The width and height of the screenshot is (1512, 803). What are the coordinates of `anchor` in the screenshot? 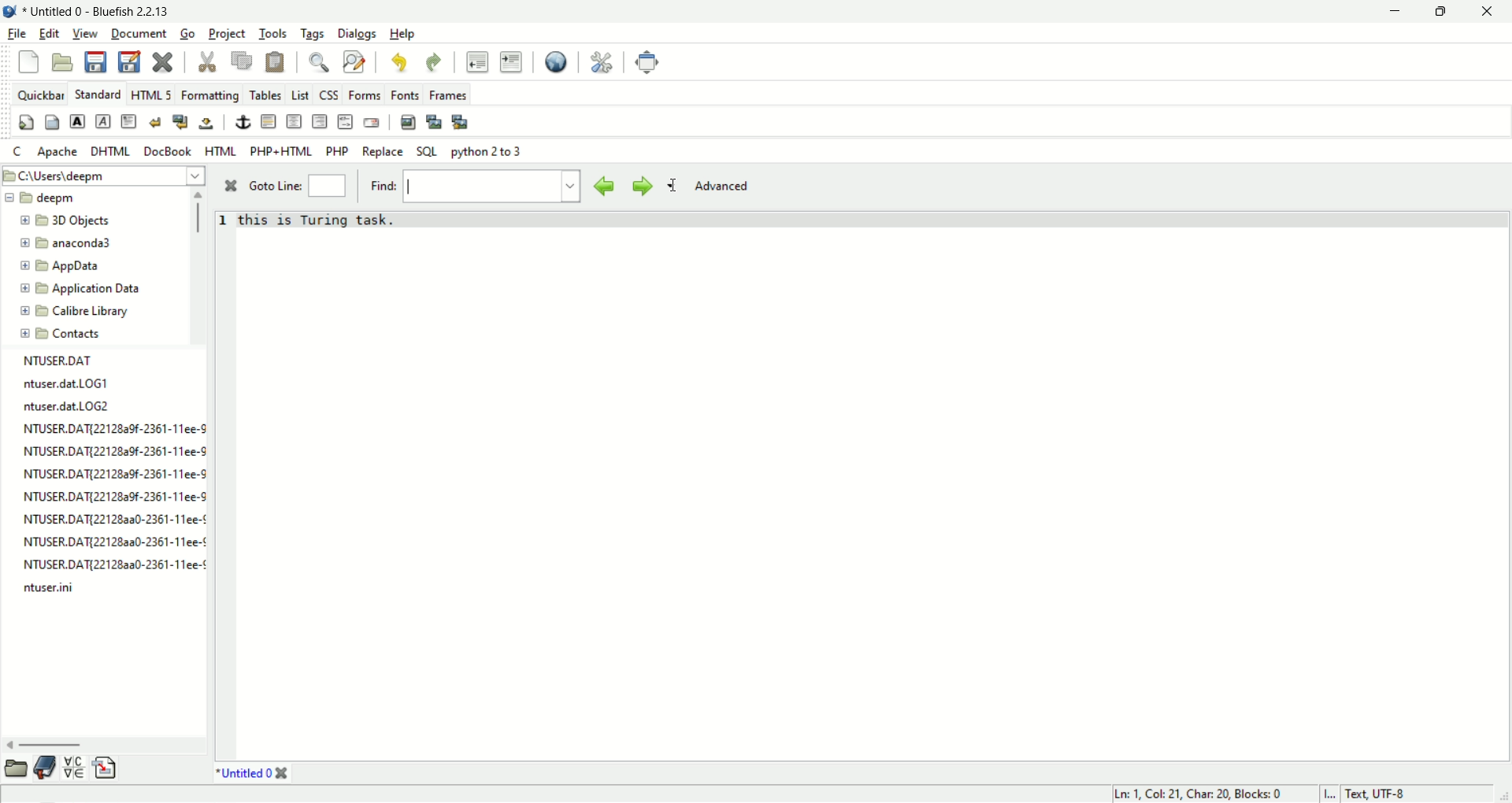 It's located at (243, 121).